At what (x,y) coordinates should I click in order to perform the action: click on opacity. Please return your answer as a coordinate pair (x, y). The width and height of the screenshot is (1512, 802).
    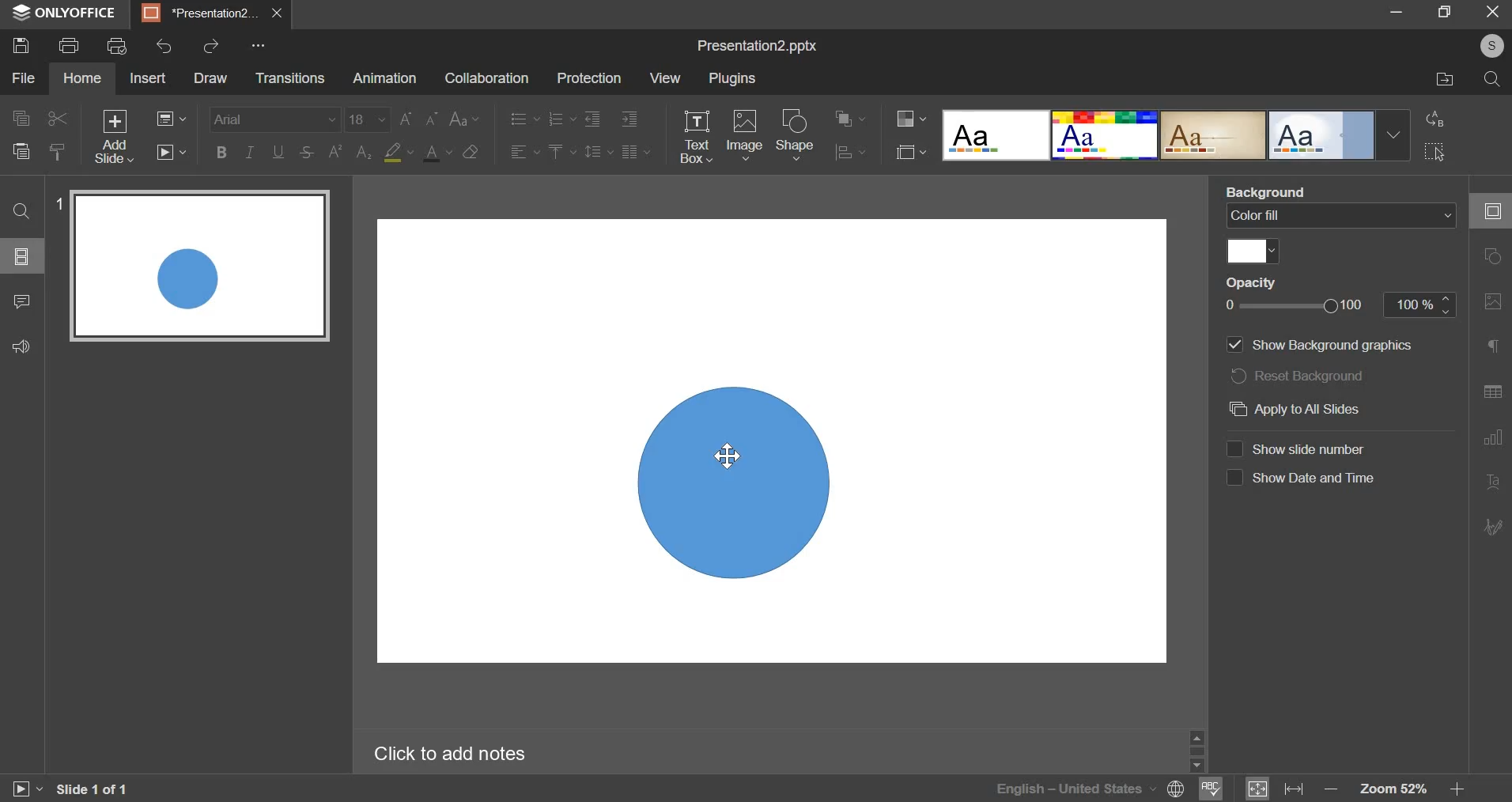
    Looking at the image, I should click on (1338, 305).